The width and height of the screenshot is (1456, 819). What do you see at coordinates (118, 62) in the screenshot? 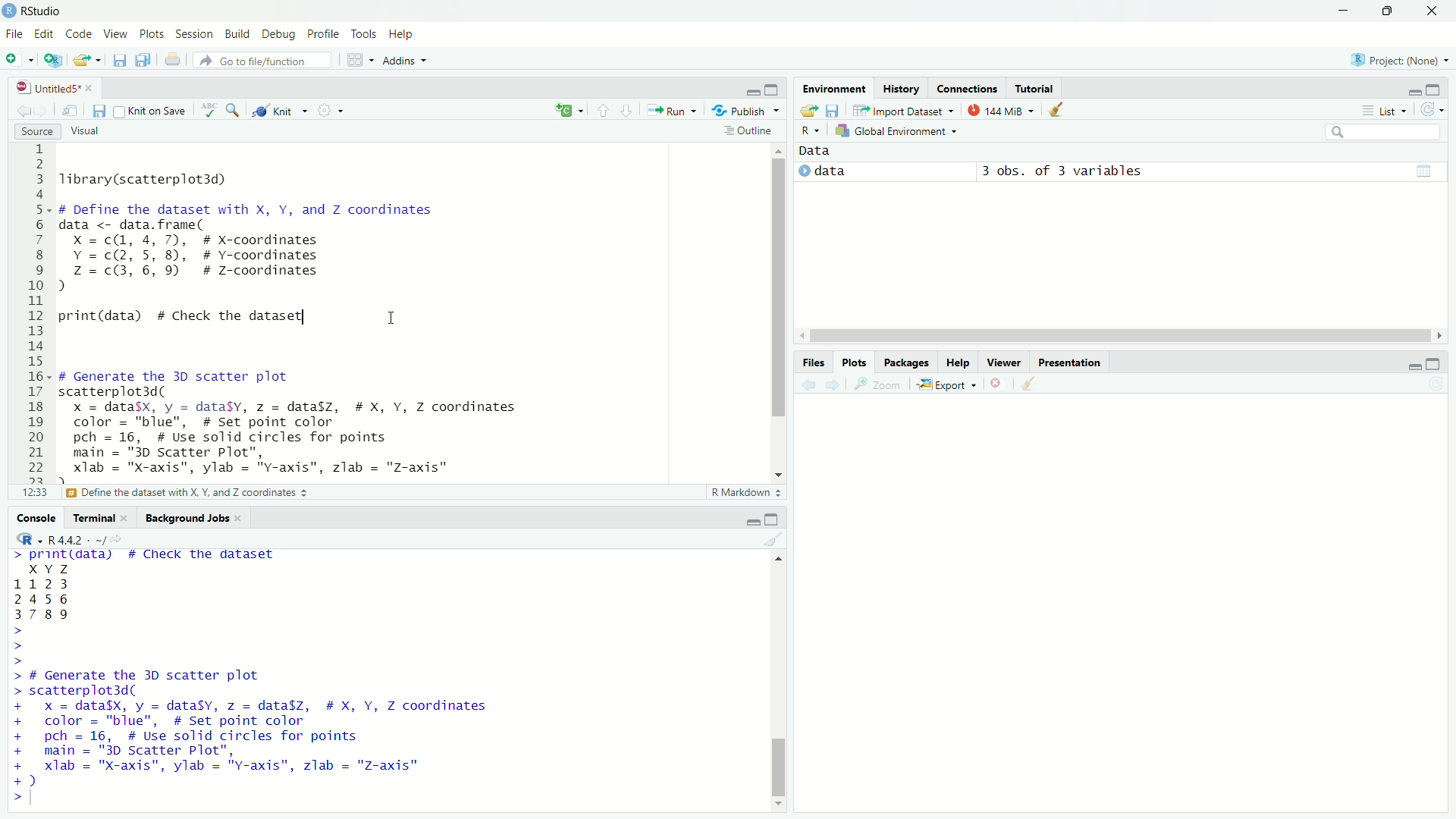
I see `save current document` at bounding box center [118, 62].